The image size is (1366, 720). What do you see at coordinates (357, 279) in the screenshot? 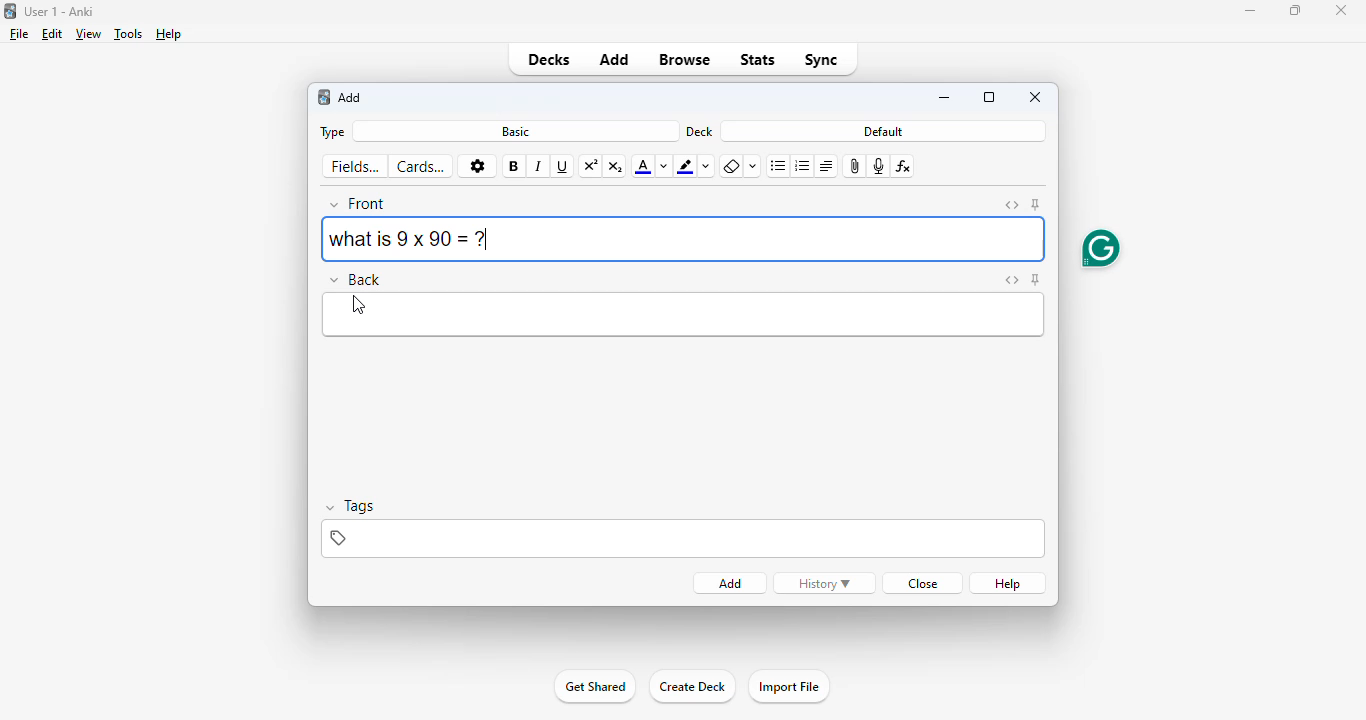
I see `back` at bounding box center [357, 279].